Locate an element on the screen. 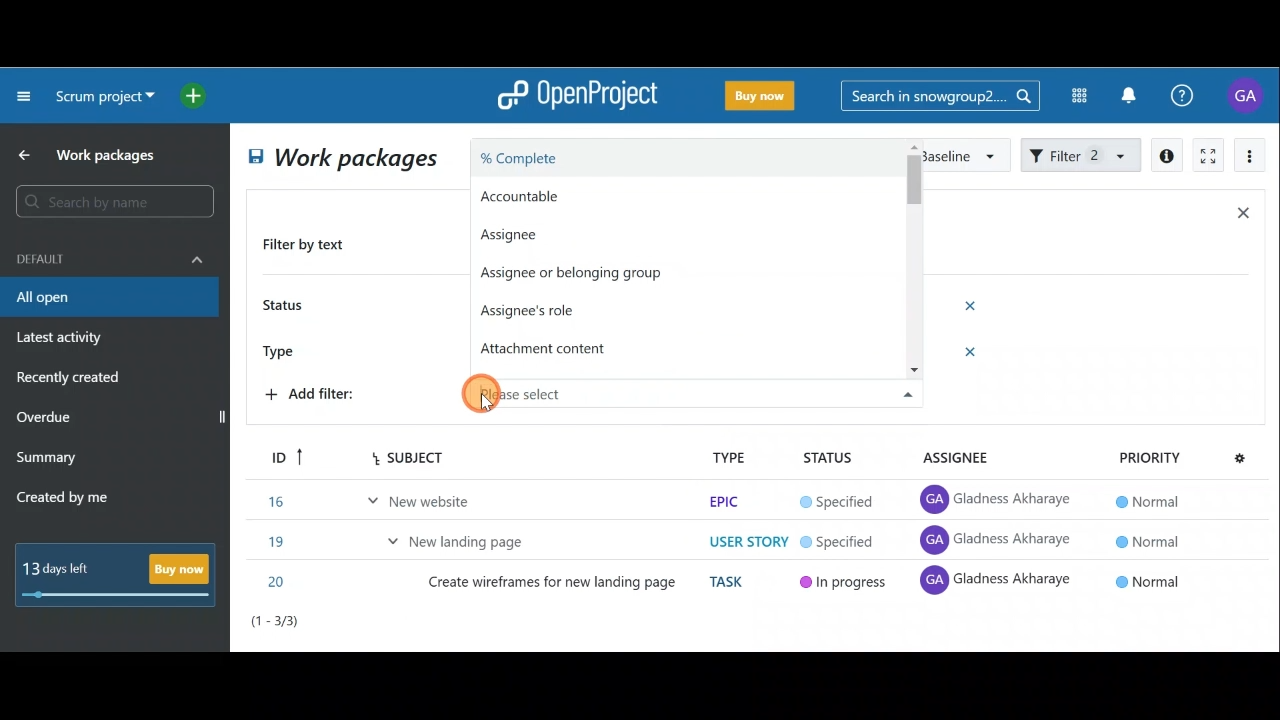  Help is located at coordinates (1193, 96).